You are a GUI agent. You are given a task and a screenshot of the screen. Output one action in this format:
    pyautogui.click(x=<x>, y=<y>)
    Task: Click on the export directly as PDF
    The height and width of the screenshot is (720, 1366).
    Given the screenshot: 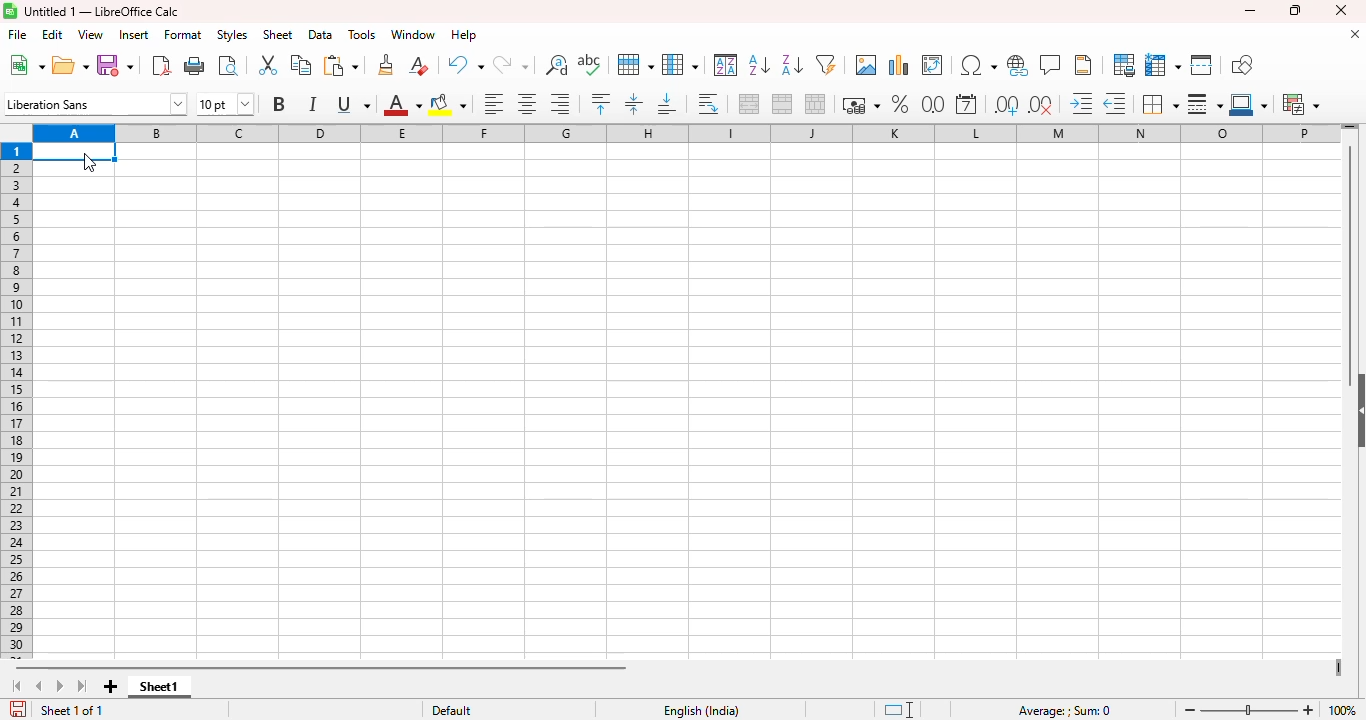 What is the action you would take?
    pyautogui.click(x=162, y=65)
    